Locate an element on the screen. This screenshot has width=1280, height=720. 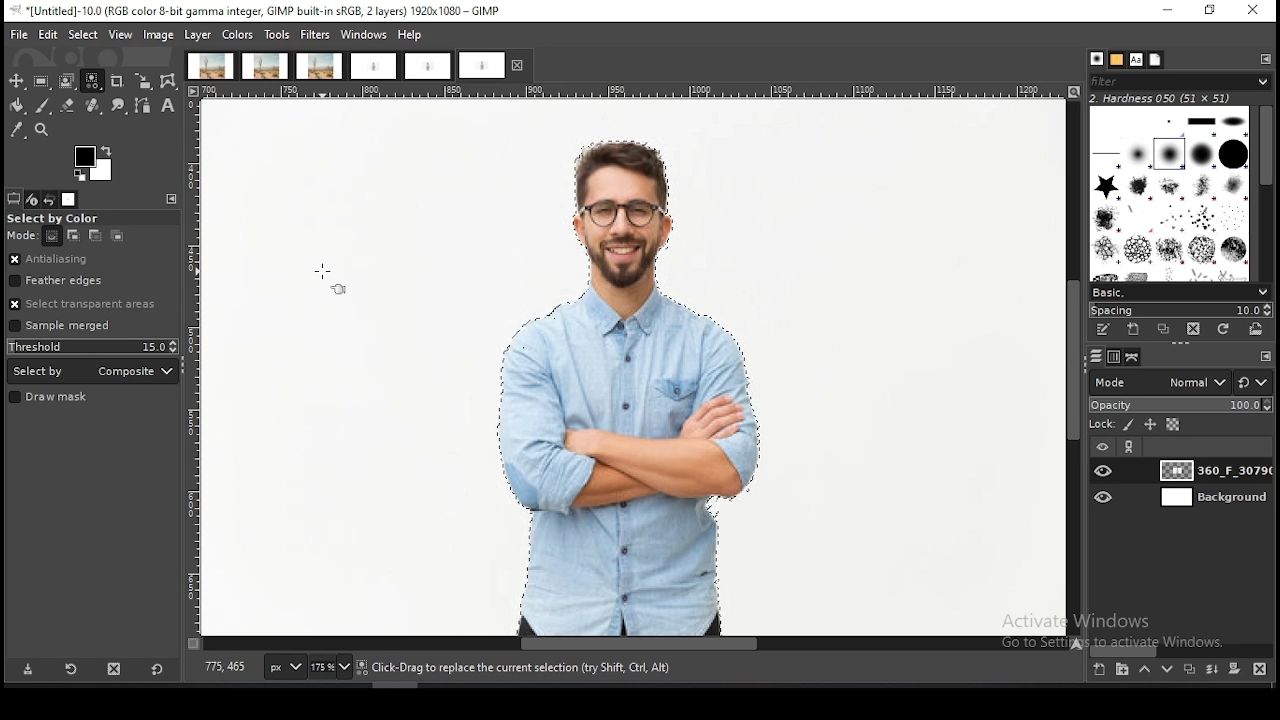
edit is located at coordinates (49, 34).